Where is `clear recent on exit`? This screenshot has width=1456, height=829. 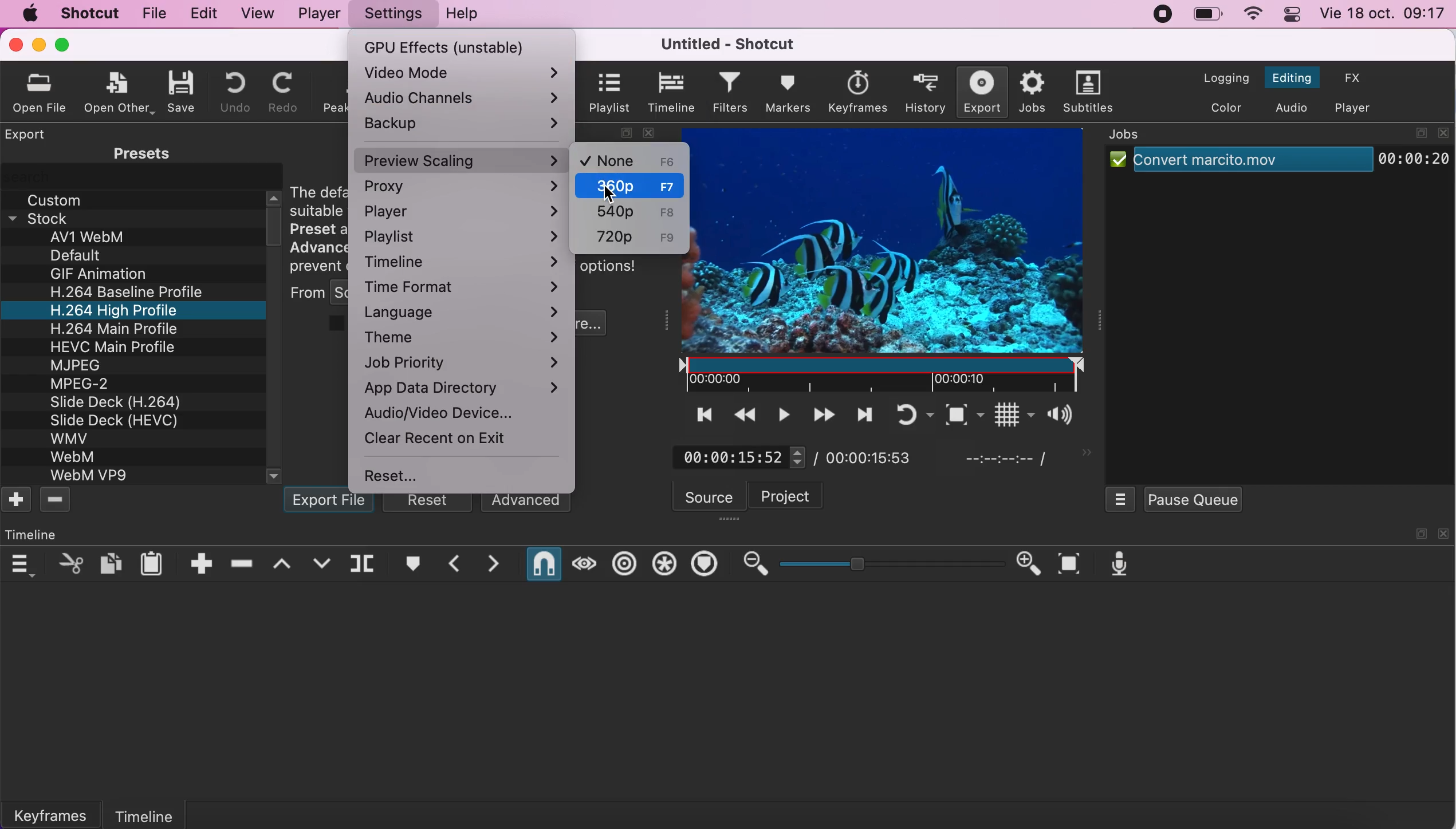 clear recent on exit is located at coordinates (438, 438).